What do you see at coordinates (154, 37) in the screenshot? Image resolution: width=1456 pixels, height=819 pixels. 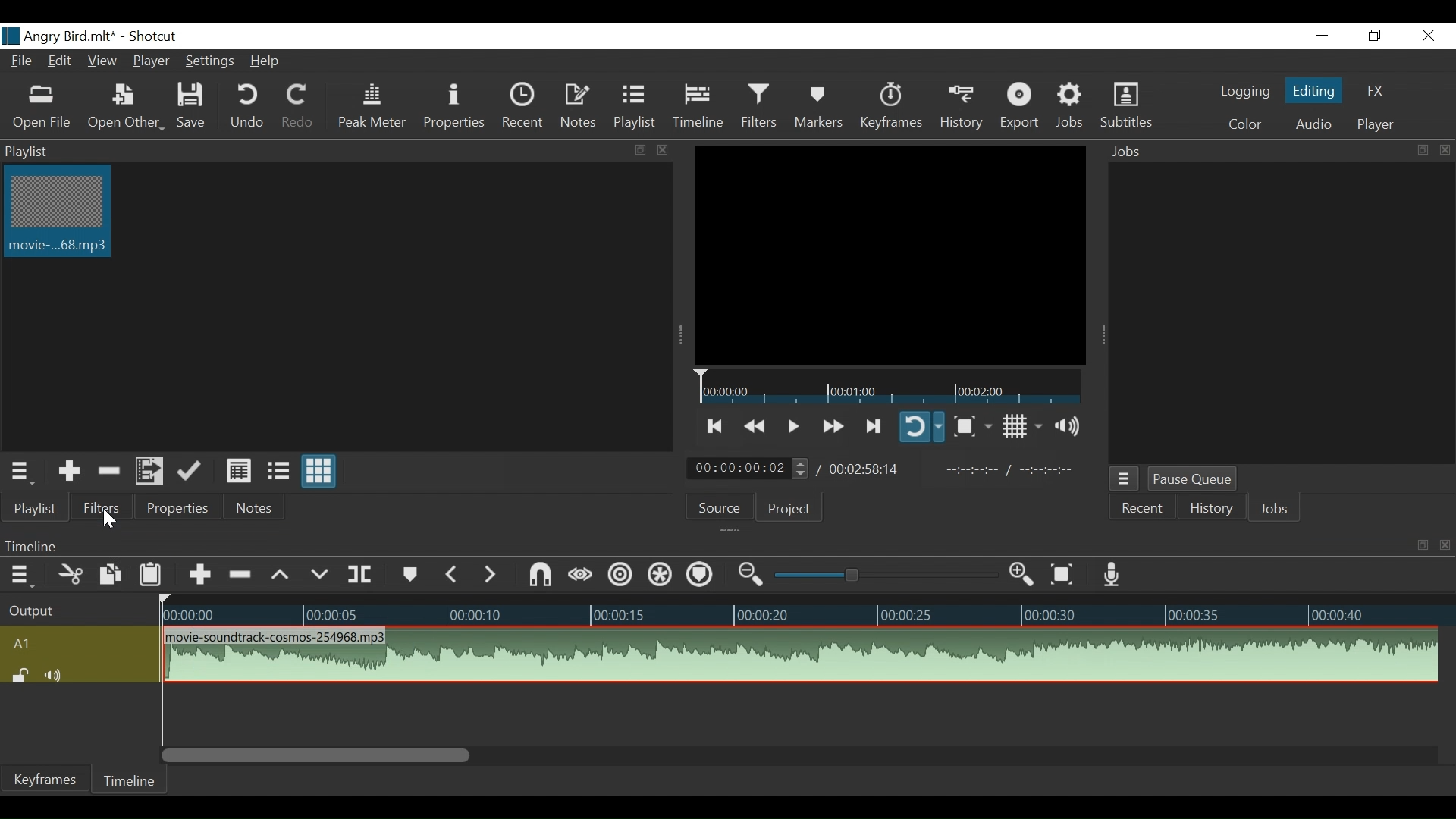 I see `Shotcut` at bounding box center [154, 37].